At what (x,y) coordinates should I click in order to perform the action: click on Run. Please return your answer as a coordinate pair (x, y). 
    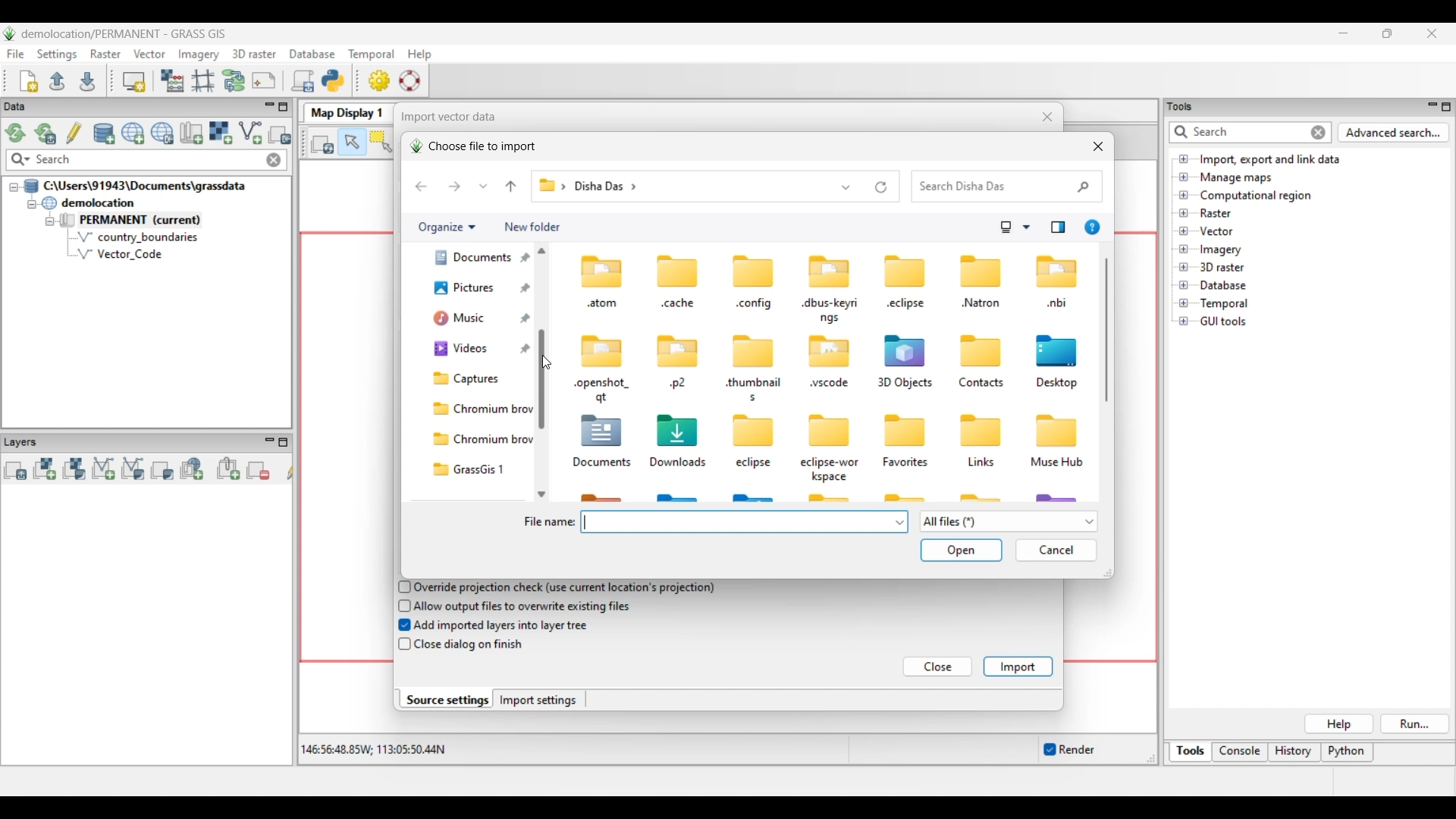
    Looking at the image, I should click on (1416, 724).